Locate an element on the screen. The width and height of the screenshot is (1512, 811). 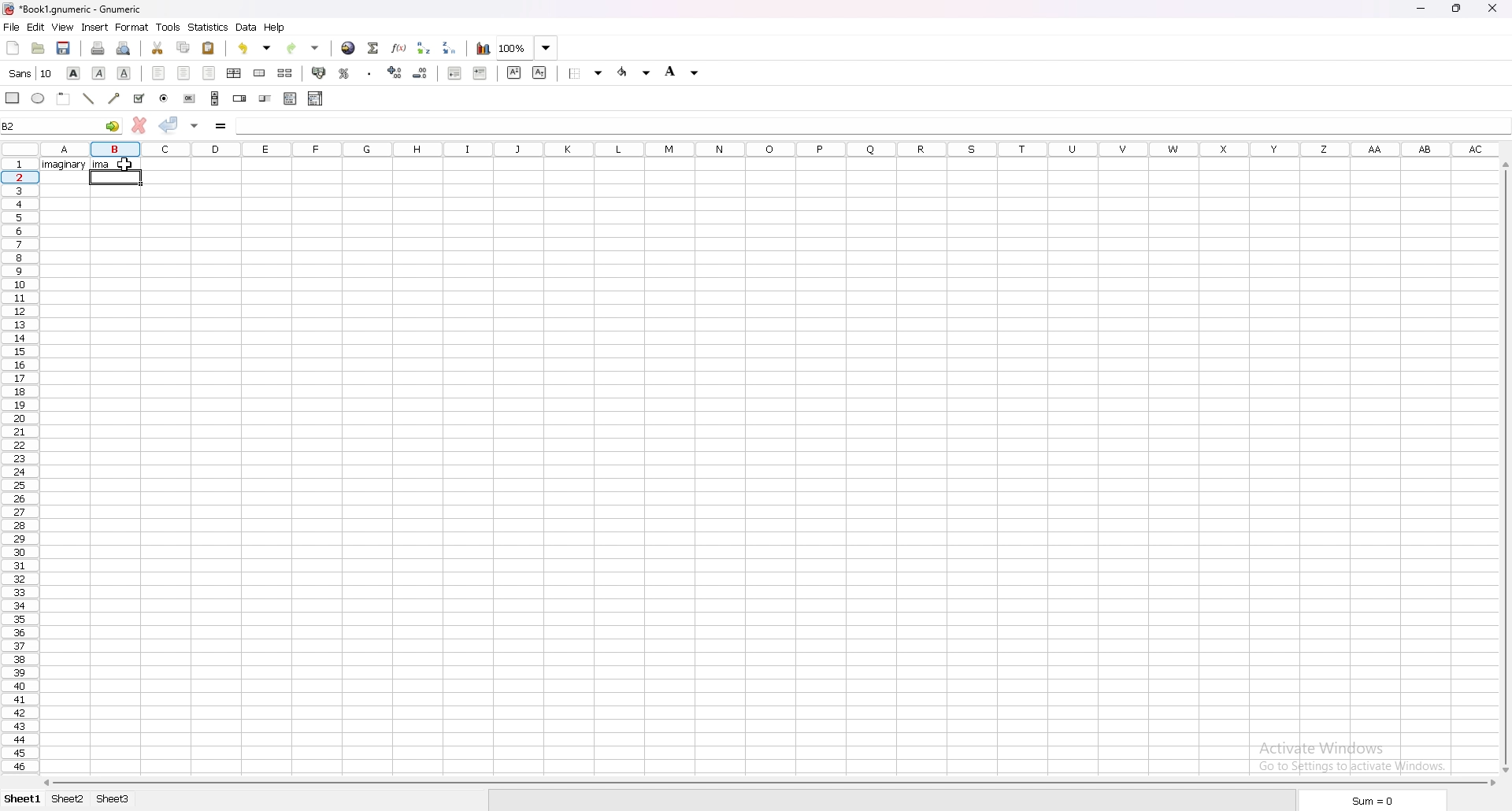
data is located at coordinates (248, 28).